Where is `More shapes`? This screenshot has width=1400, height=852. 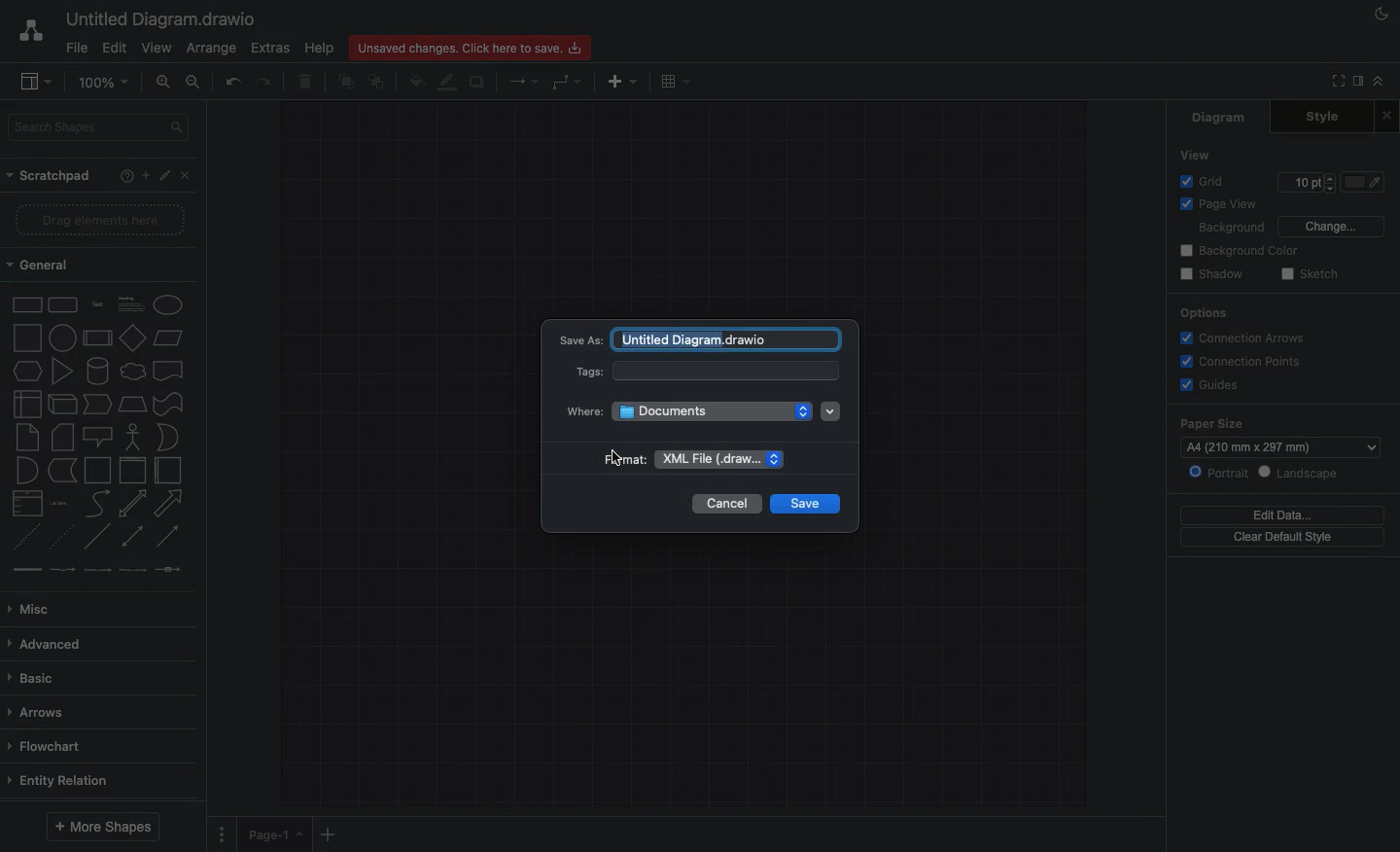 More shapes is located at coordinates (102, 826).